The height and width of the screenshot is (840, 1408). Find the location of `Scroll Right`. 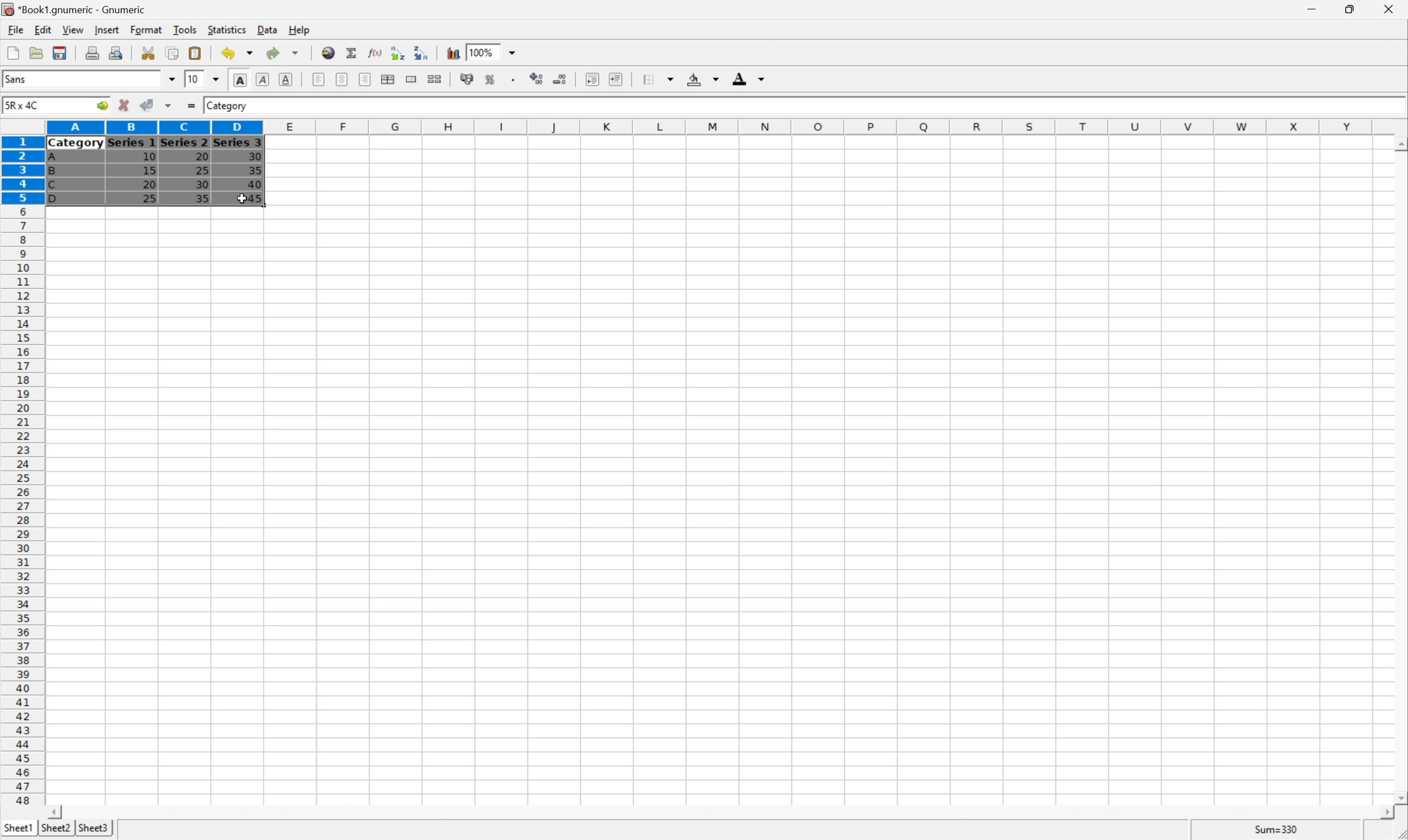

Scroll Right is located at coordinates (1383, 813).